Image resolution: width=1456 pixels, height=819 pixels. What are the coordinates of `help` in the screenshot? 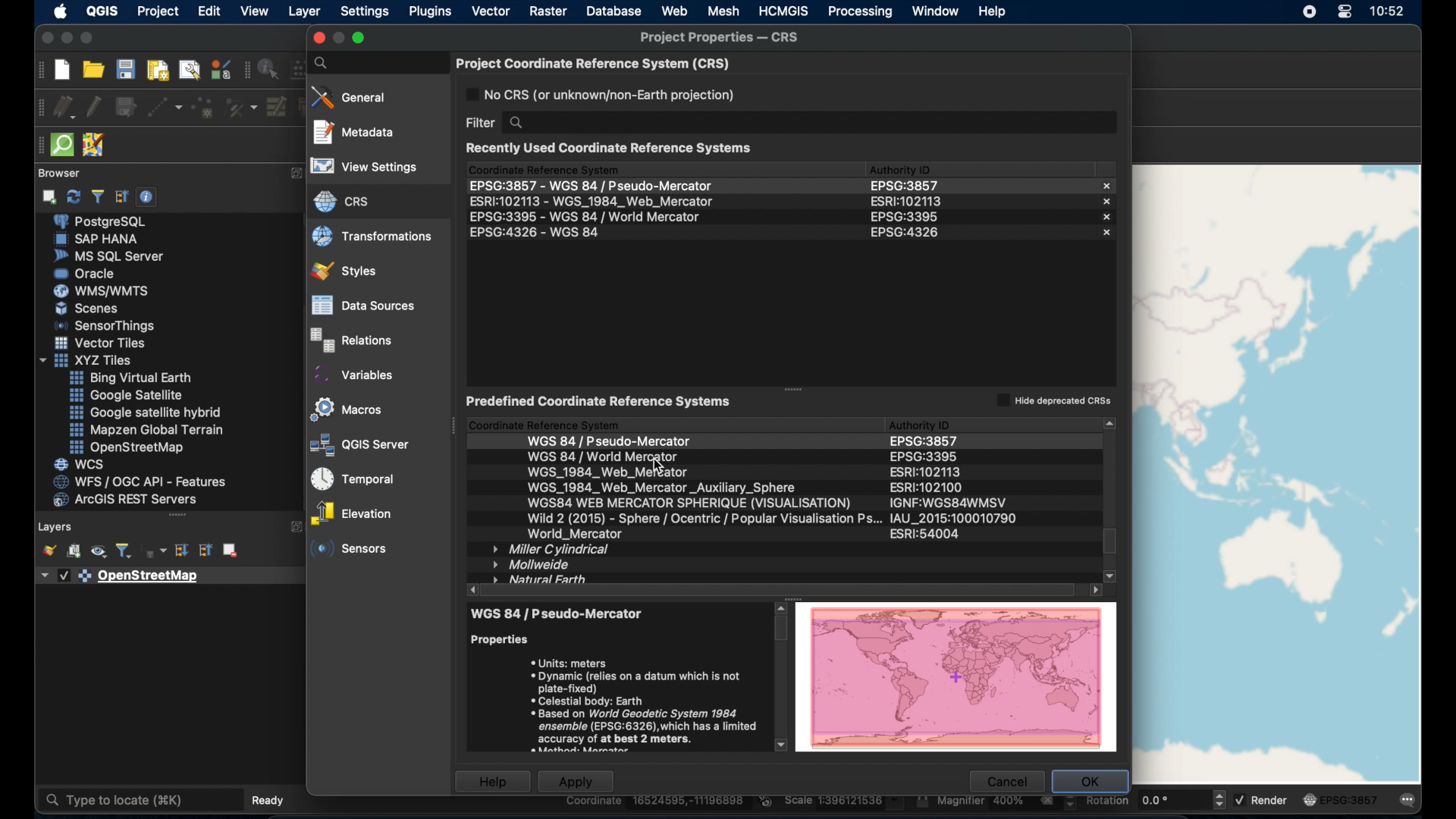 It's located at (993, 12).